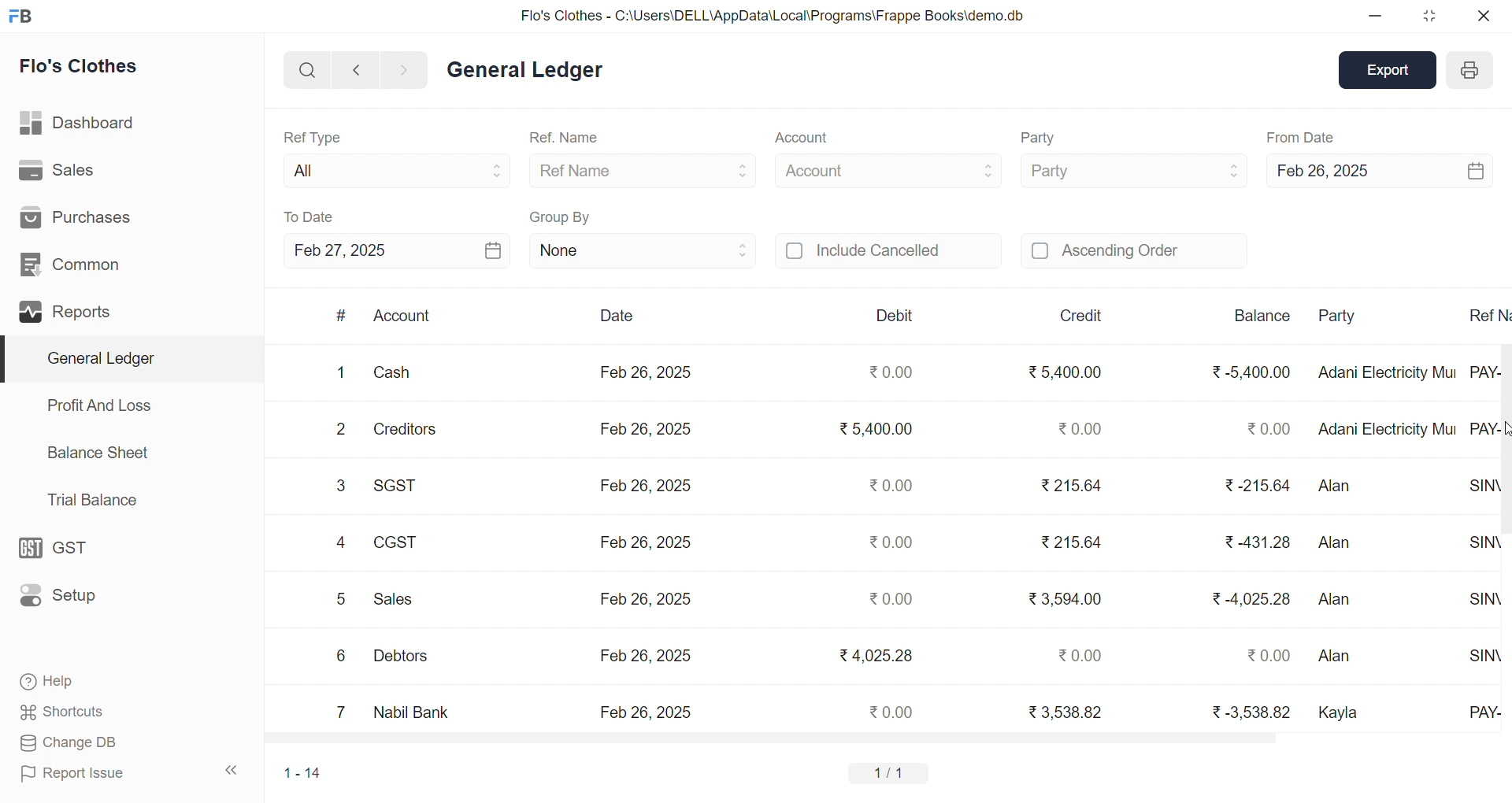  I want to click on COLLAPSE SIDE BAR, so click(232, 770).